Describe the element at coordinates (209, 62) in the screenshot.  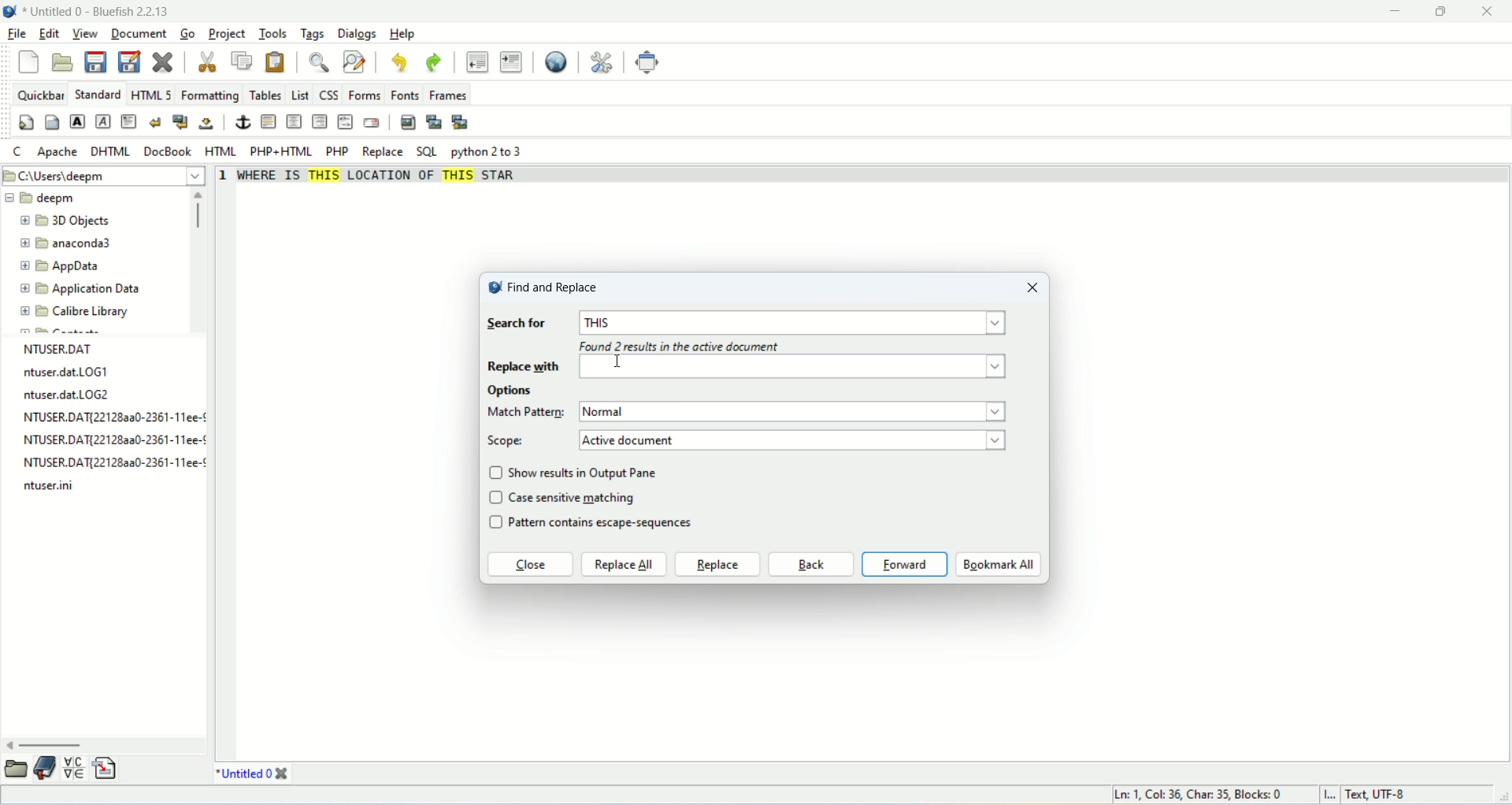
I see `cut` at that location.